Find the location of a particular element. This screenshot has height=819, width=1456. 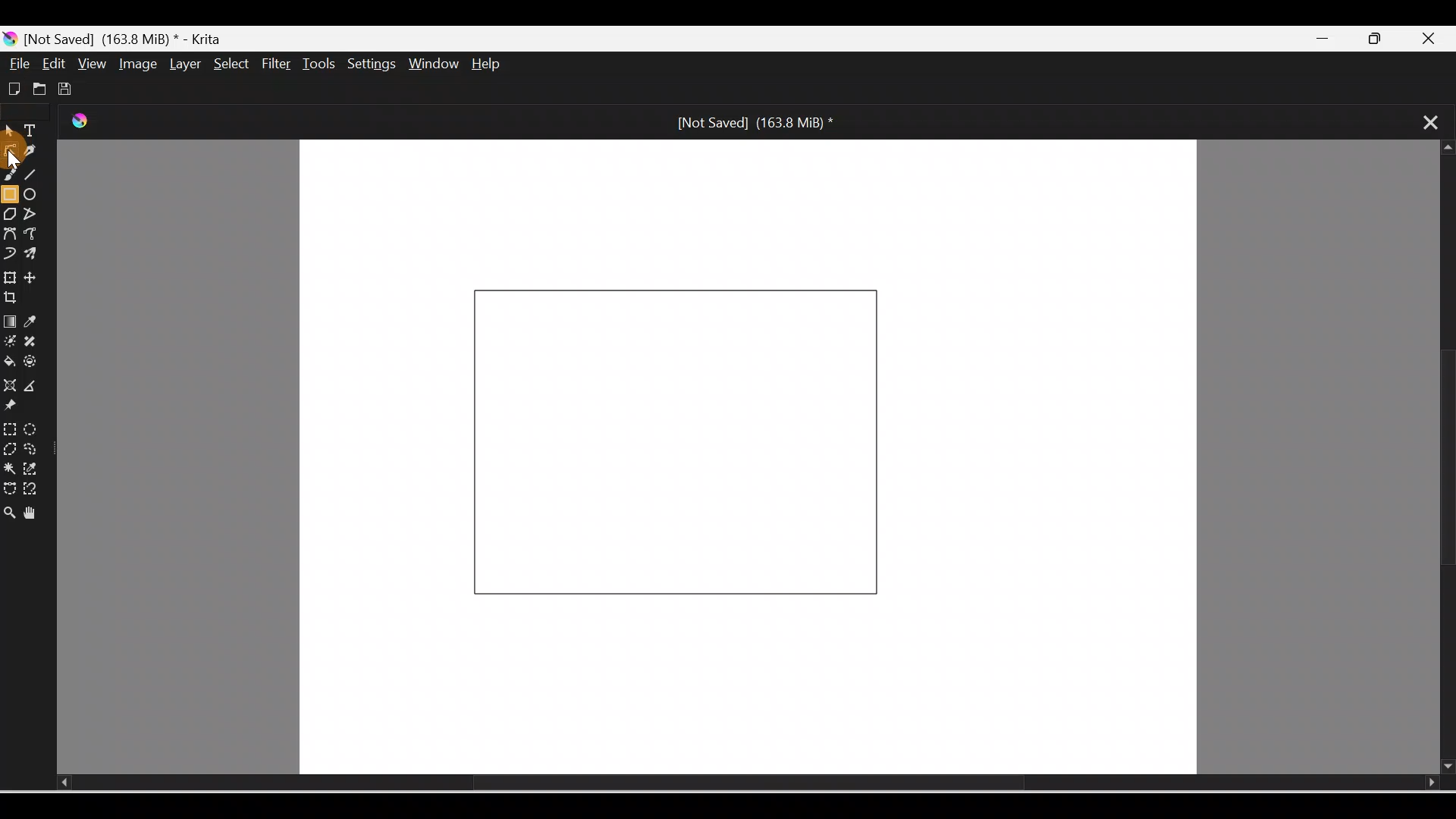

Transform a layer/selection is located at coordinates (10, 275).